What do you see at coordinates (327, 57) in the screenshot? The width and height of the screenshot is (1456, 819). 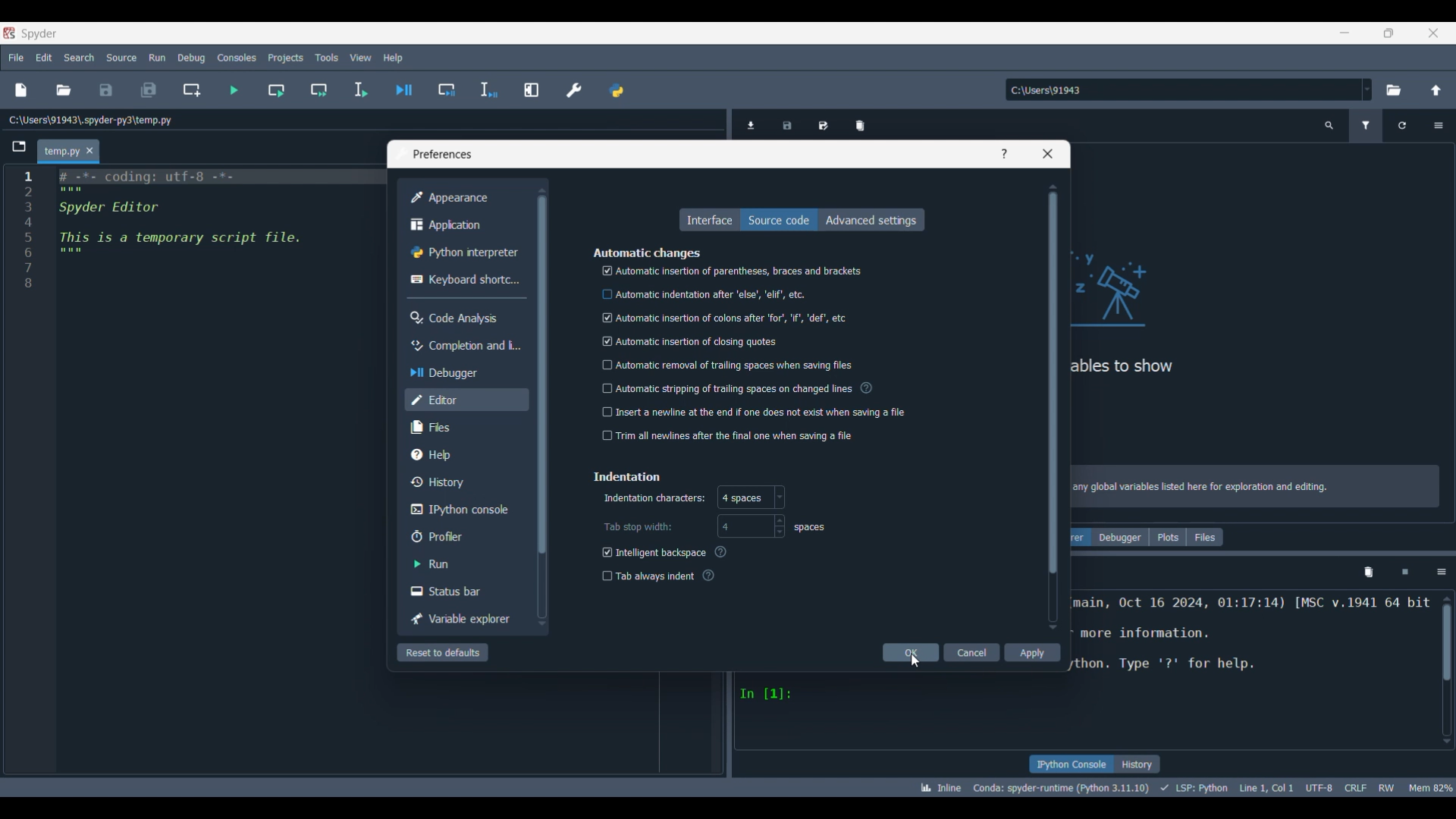 I see `Tools menu` at bounding box center [327, 57].